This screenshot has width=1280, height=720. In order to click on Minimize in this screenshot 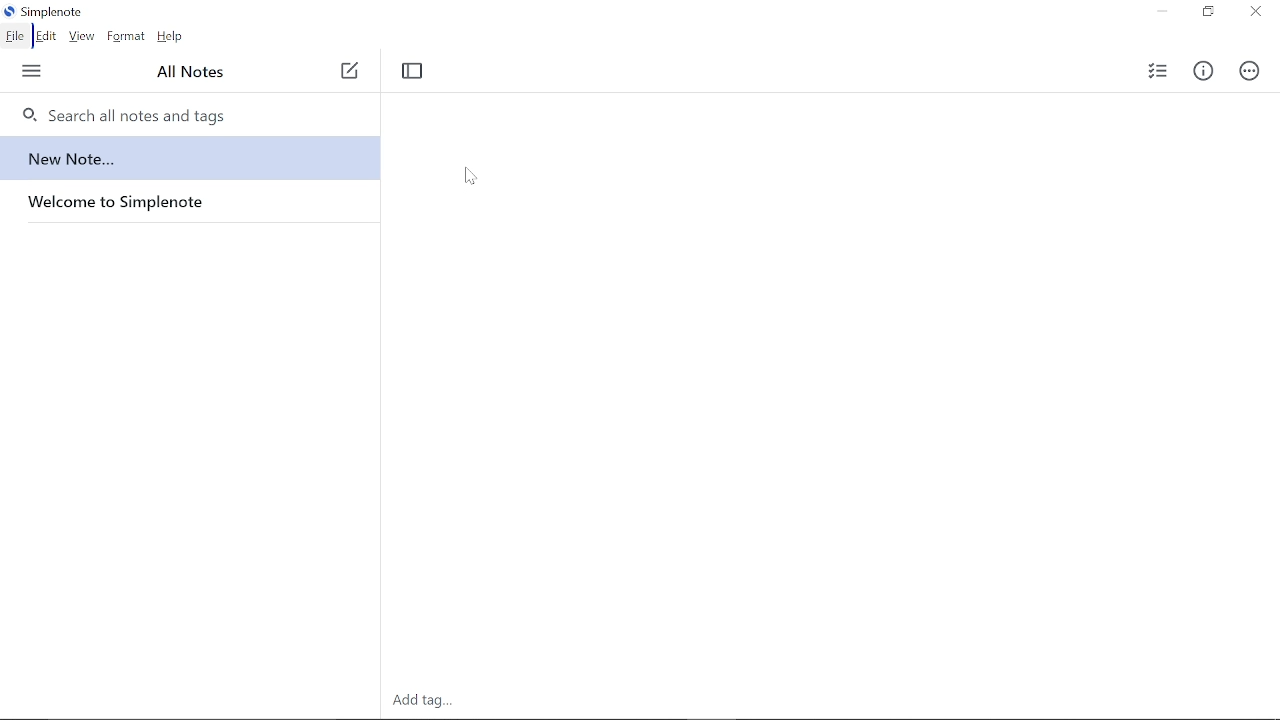, I will do `click(1160, 13)`.